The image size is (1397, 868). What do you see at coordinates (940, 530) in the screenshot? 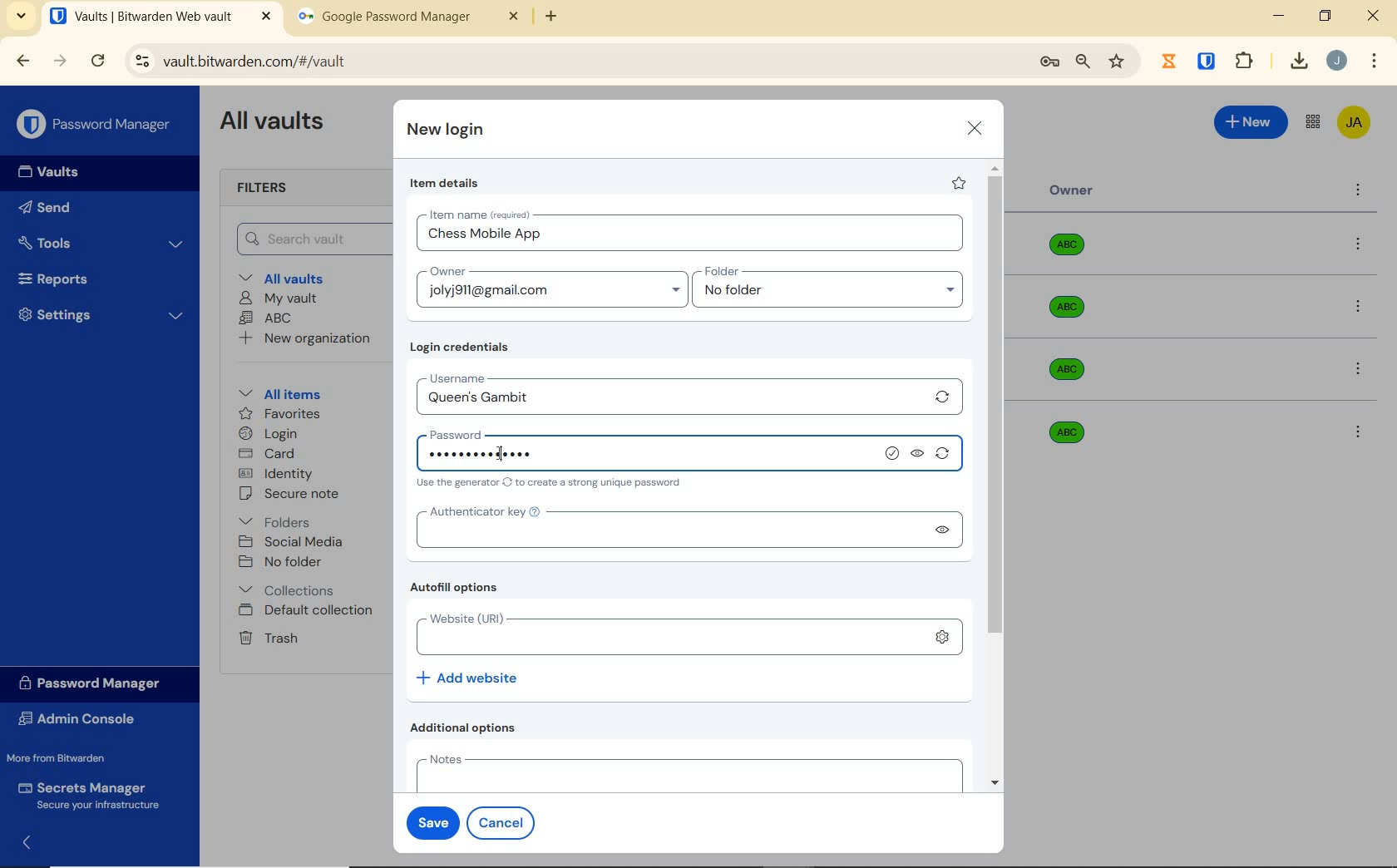
I see `unhide` at bounding box center [940, 530].